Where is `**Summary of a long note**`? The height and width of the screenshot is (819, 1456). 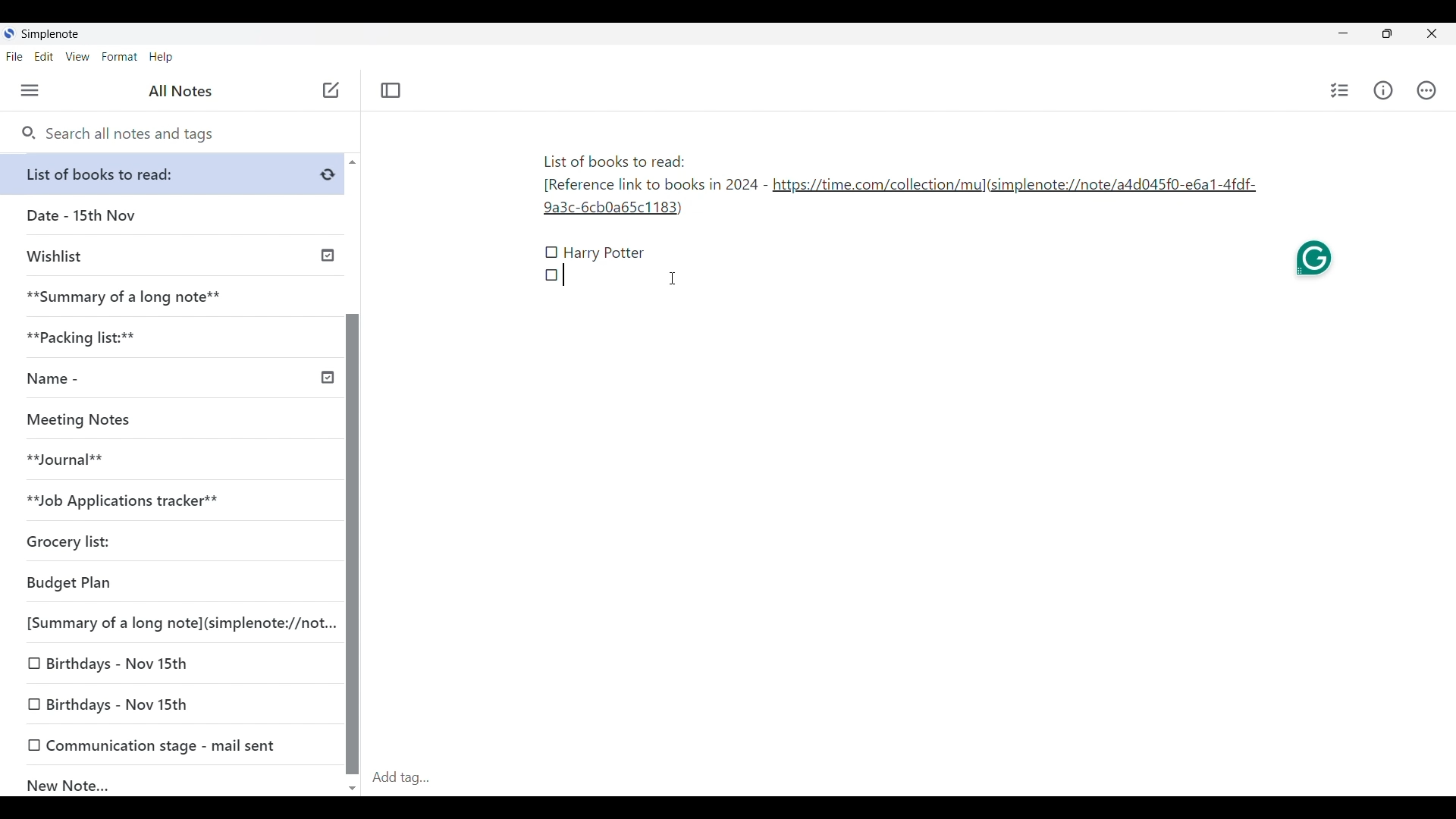 **Summary of a long note** is located at coordinates (172, 297).